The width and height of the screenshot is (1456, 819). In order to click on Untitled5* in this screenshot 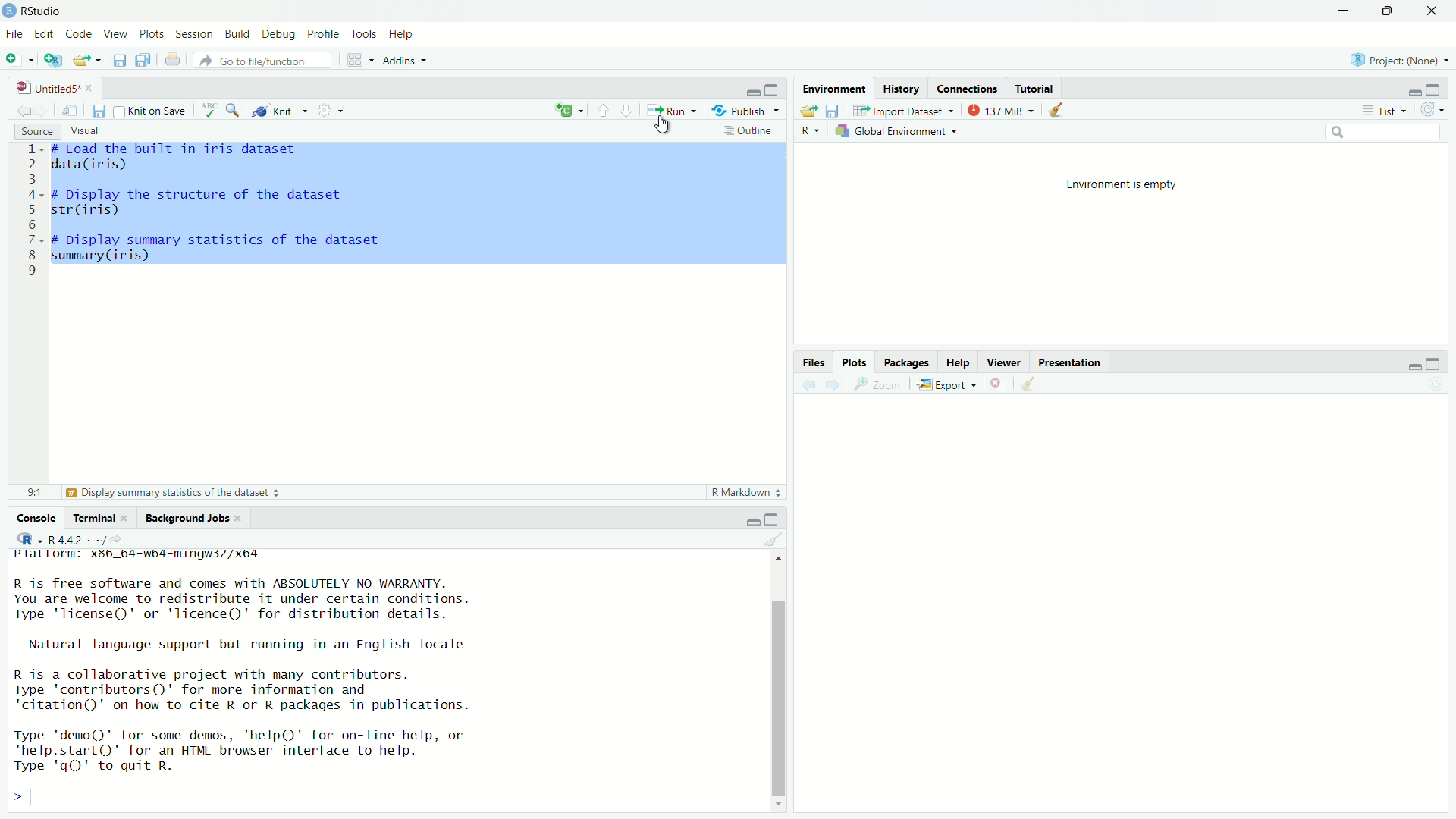, I will do `click(53, 87)`.